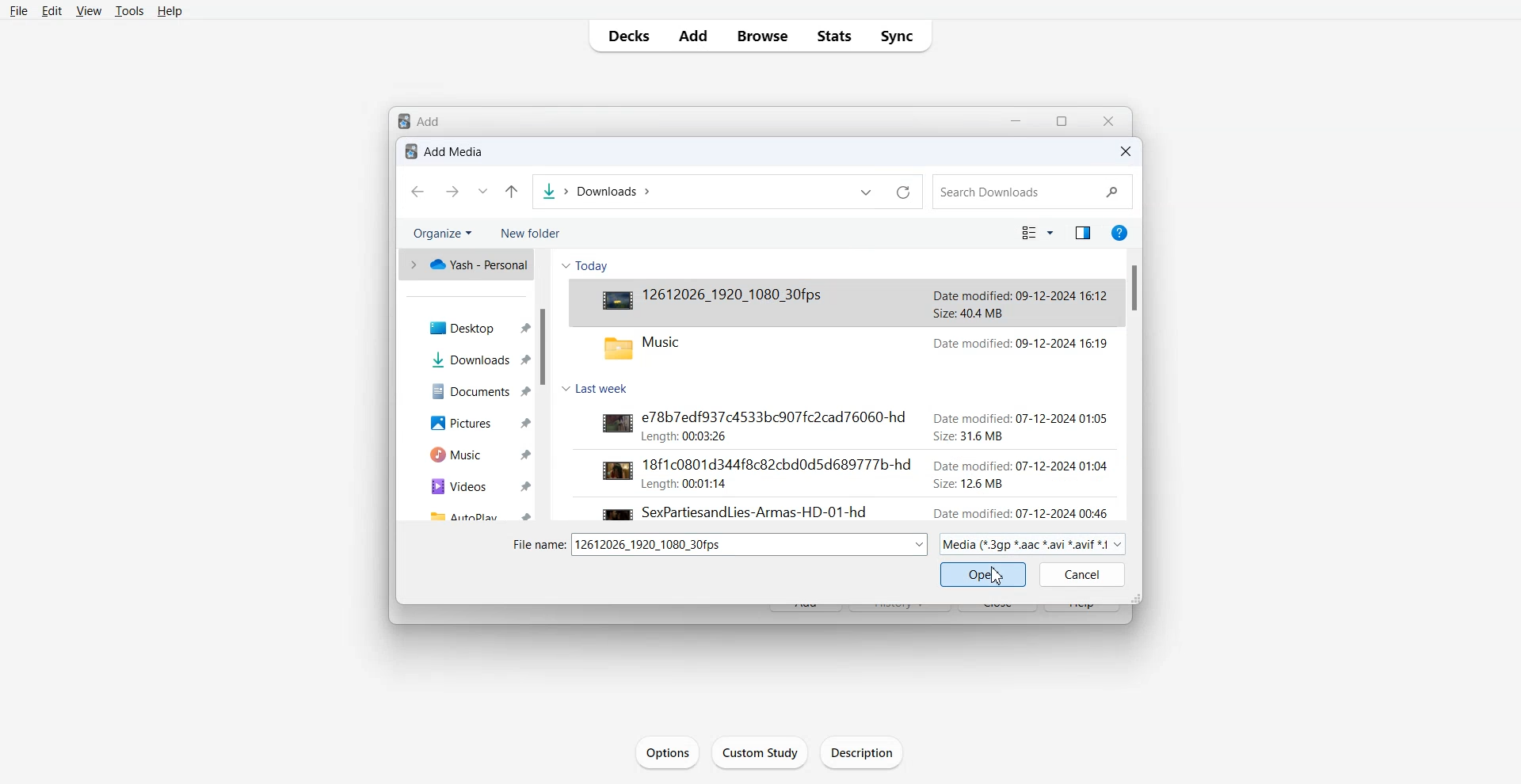 The width and height of the screenshot is (1521, 784). What do you see at coordinates (993, 576) in the screenshot?
I see `Cursor` at bounding box center [993, 576].